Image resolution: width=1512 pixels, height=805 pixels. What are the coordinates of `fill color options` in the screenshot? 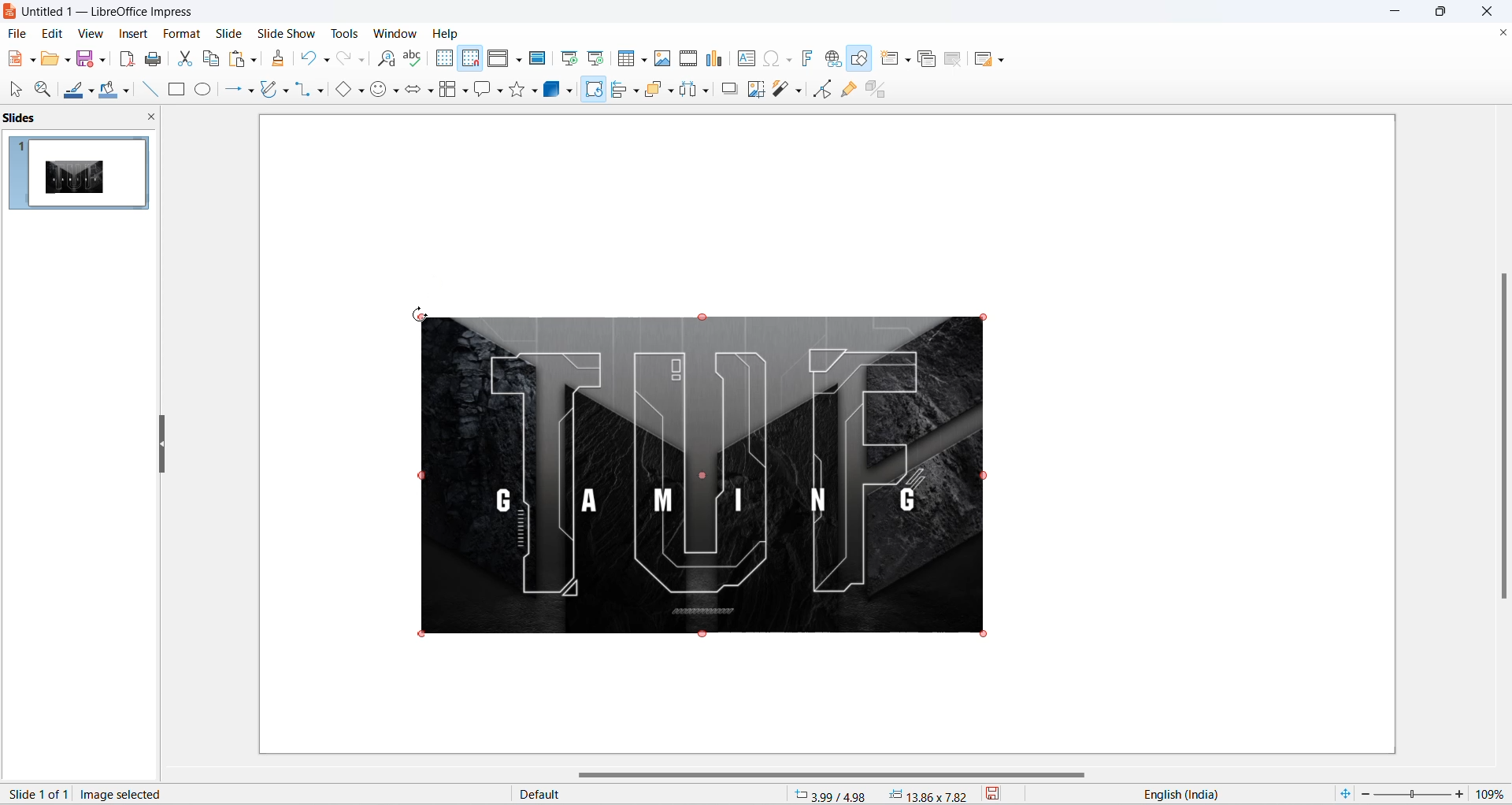 It's located at (125, 92).